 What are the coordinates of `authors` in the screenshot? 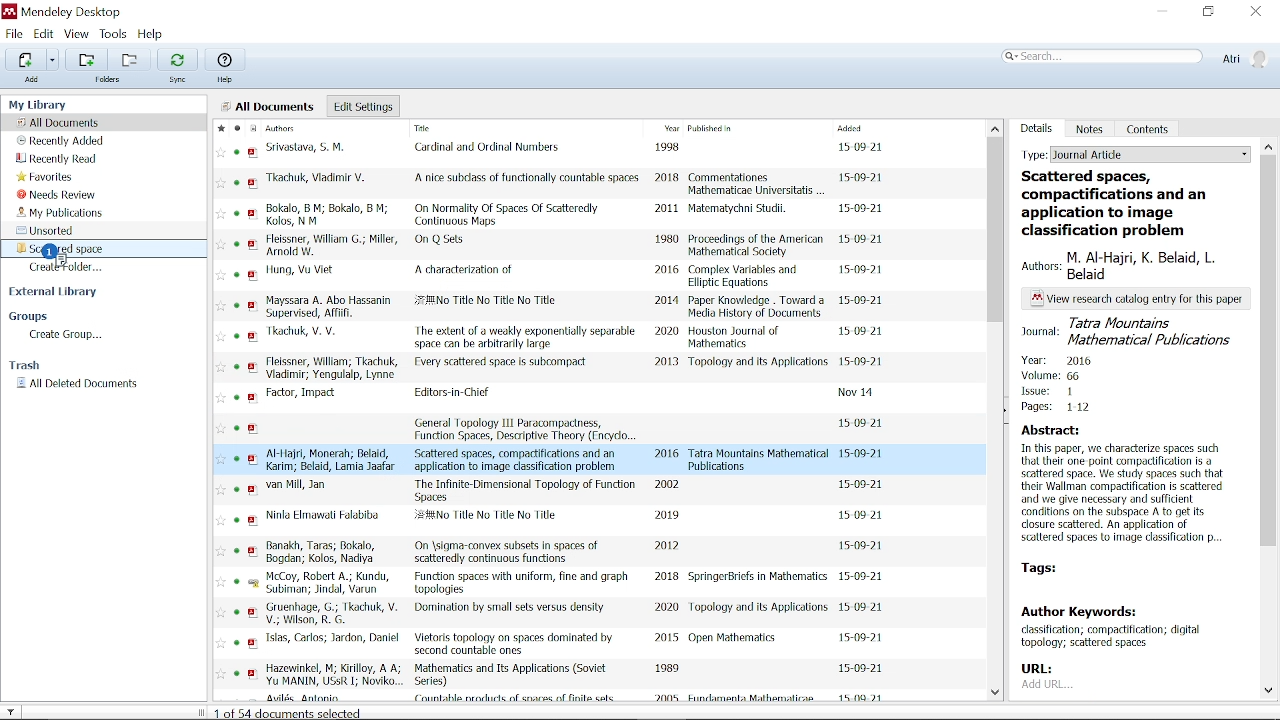 It's located at (312, 334).